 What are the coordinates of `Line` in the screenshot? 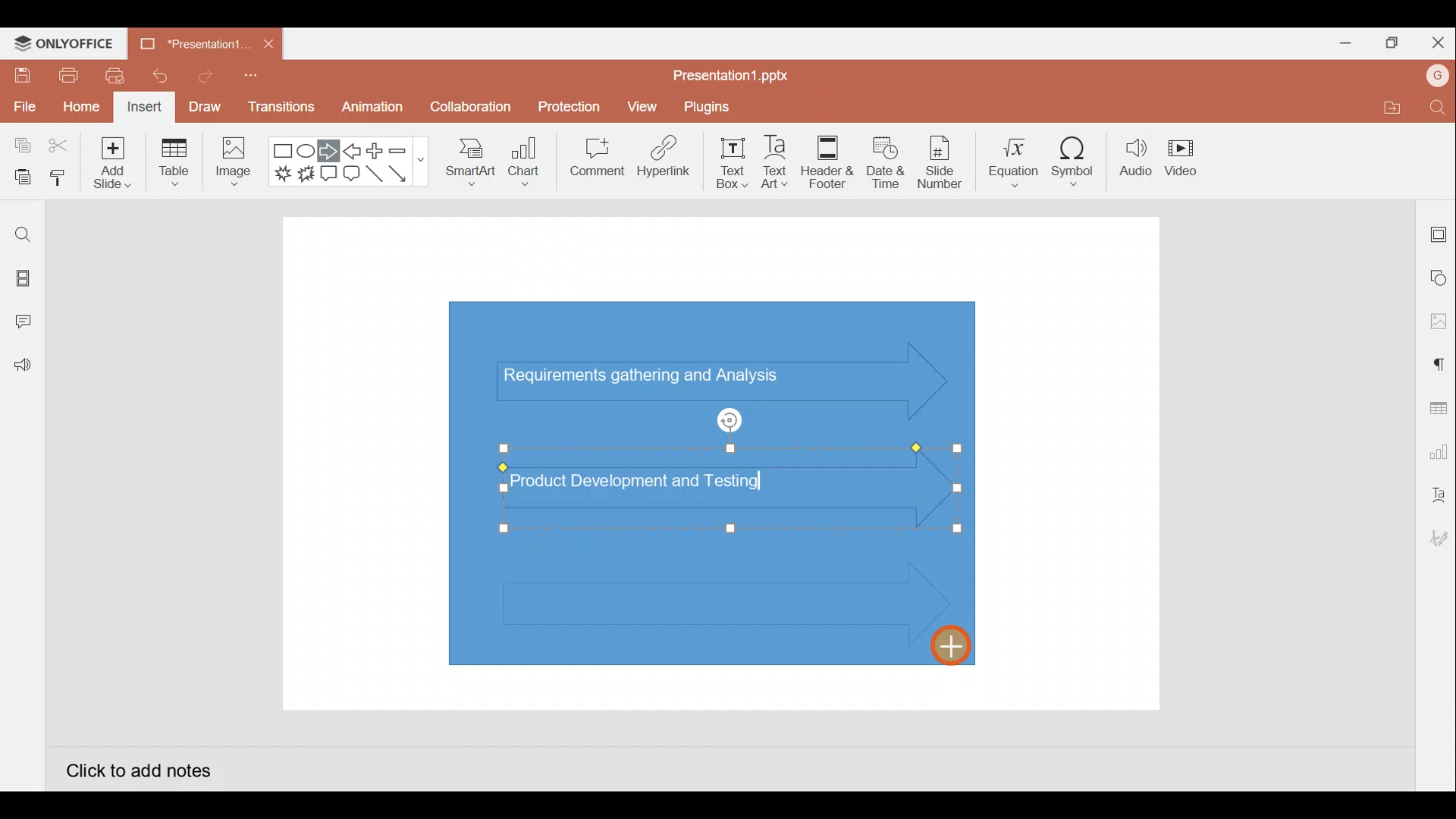 It's located at (376, 178).